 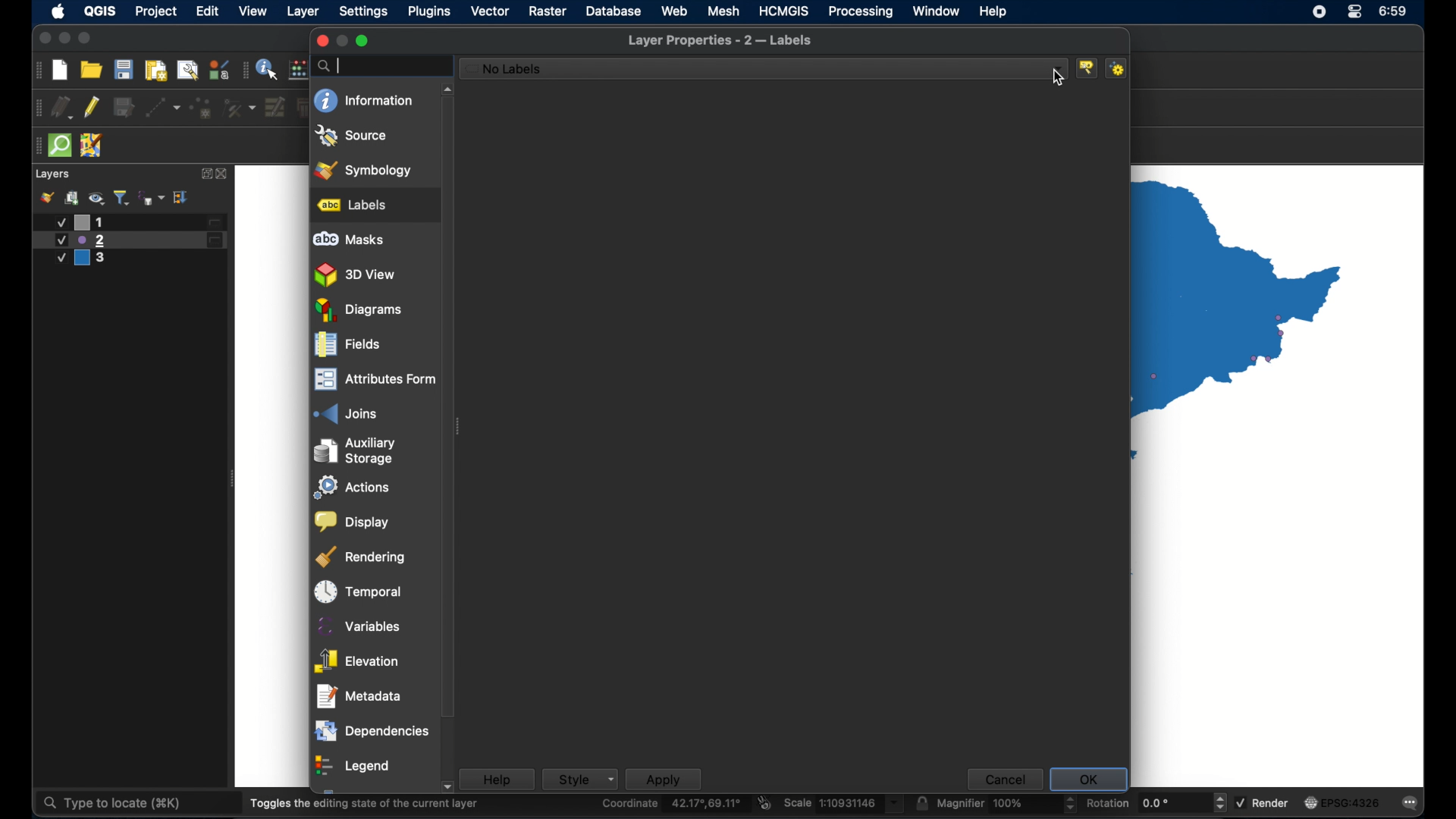 I want to click on time, so click(x=1395, y=12).